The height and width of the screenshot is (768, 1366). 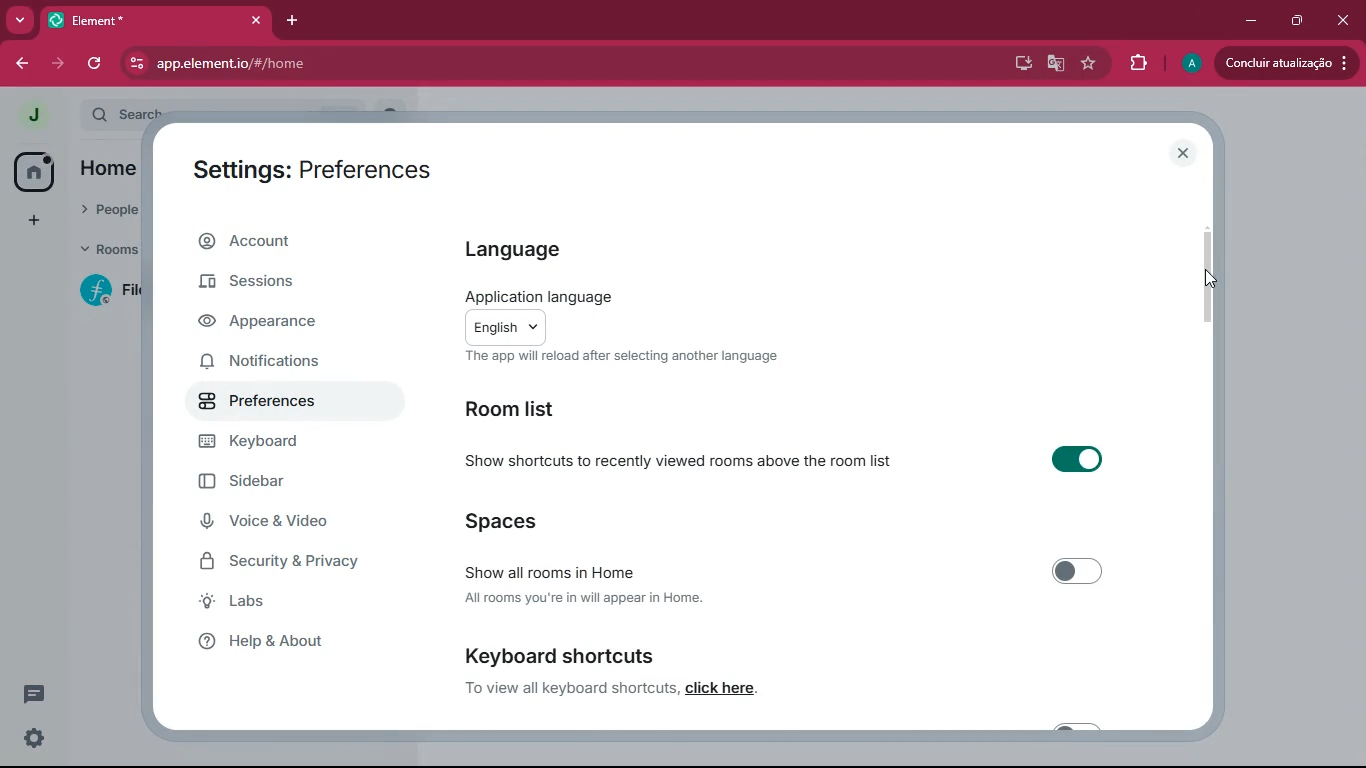 I want to click on settings: preferences, so click(x=318, y=167).